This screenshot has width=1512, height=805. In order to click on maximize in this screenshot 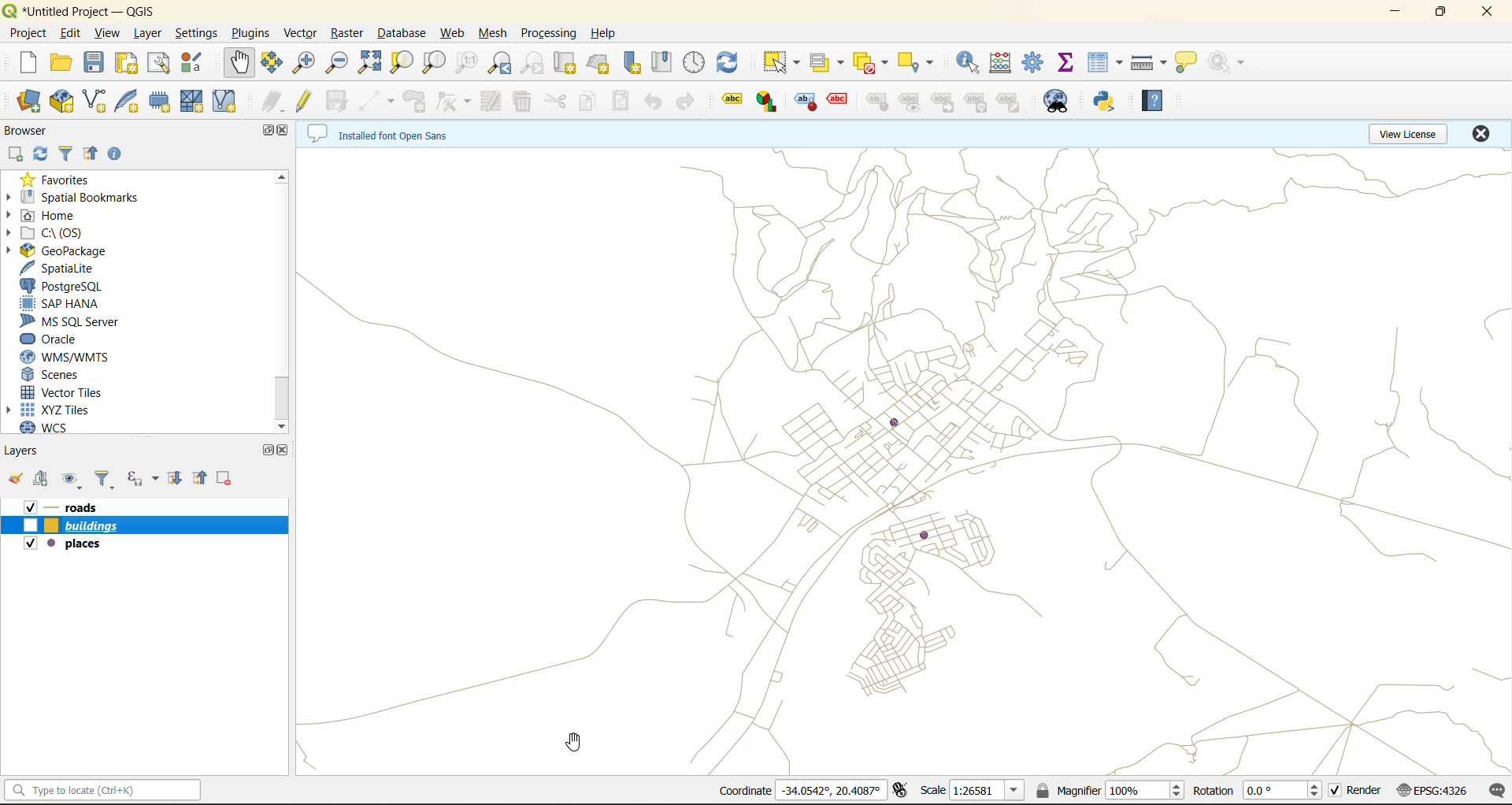, I will do `click(265, 453)`.